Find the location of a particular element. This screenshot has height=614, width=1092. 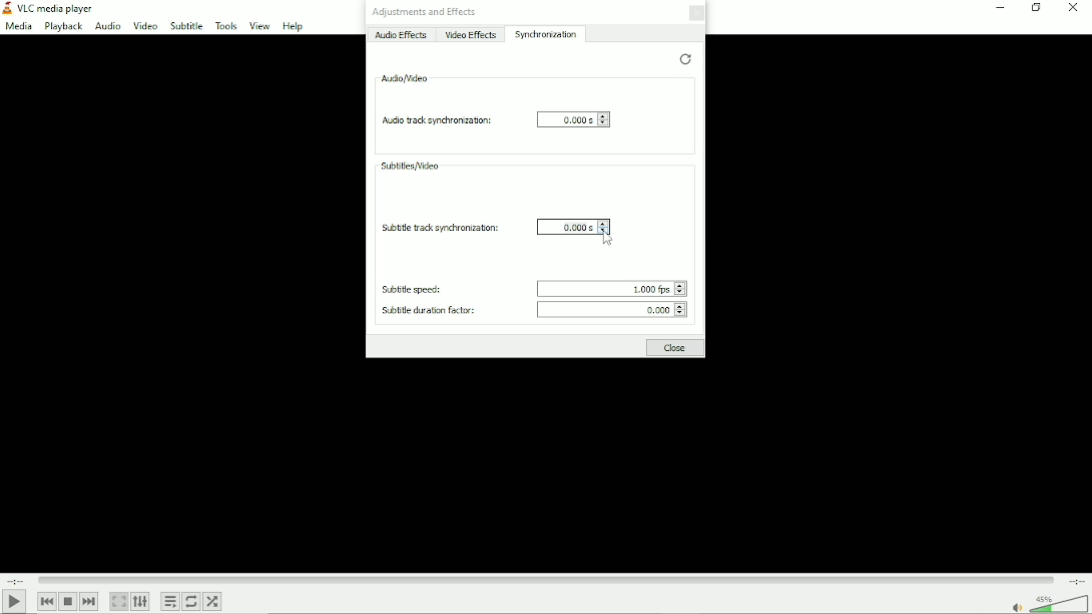

Previous is located at coordinates (46, 601).